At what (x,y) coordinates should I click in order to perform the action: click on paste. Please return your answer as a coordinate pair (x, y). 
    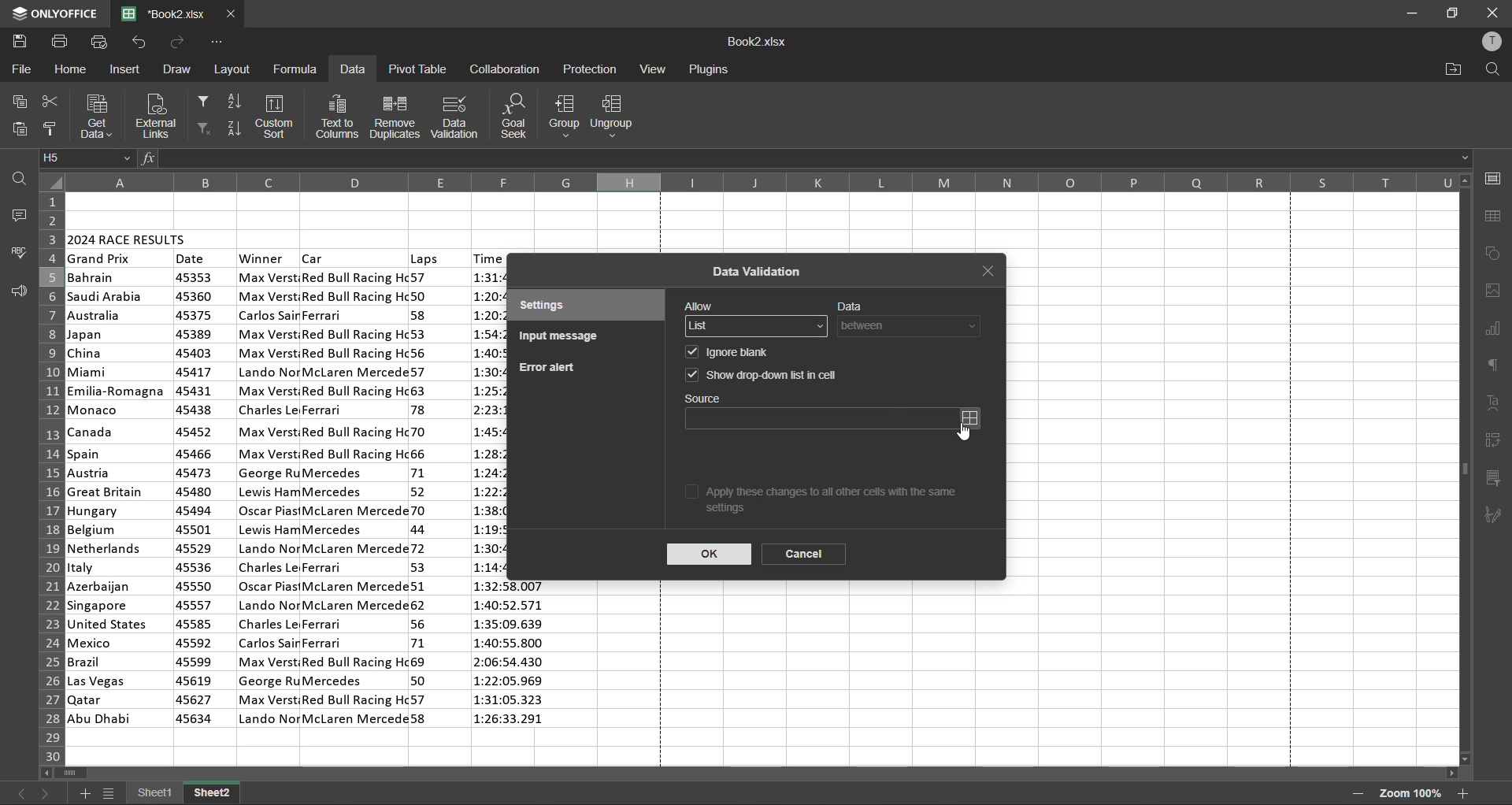
    Looking at the image, I should click on (20, 130).